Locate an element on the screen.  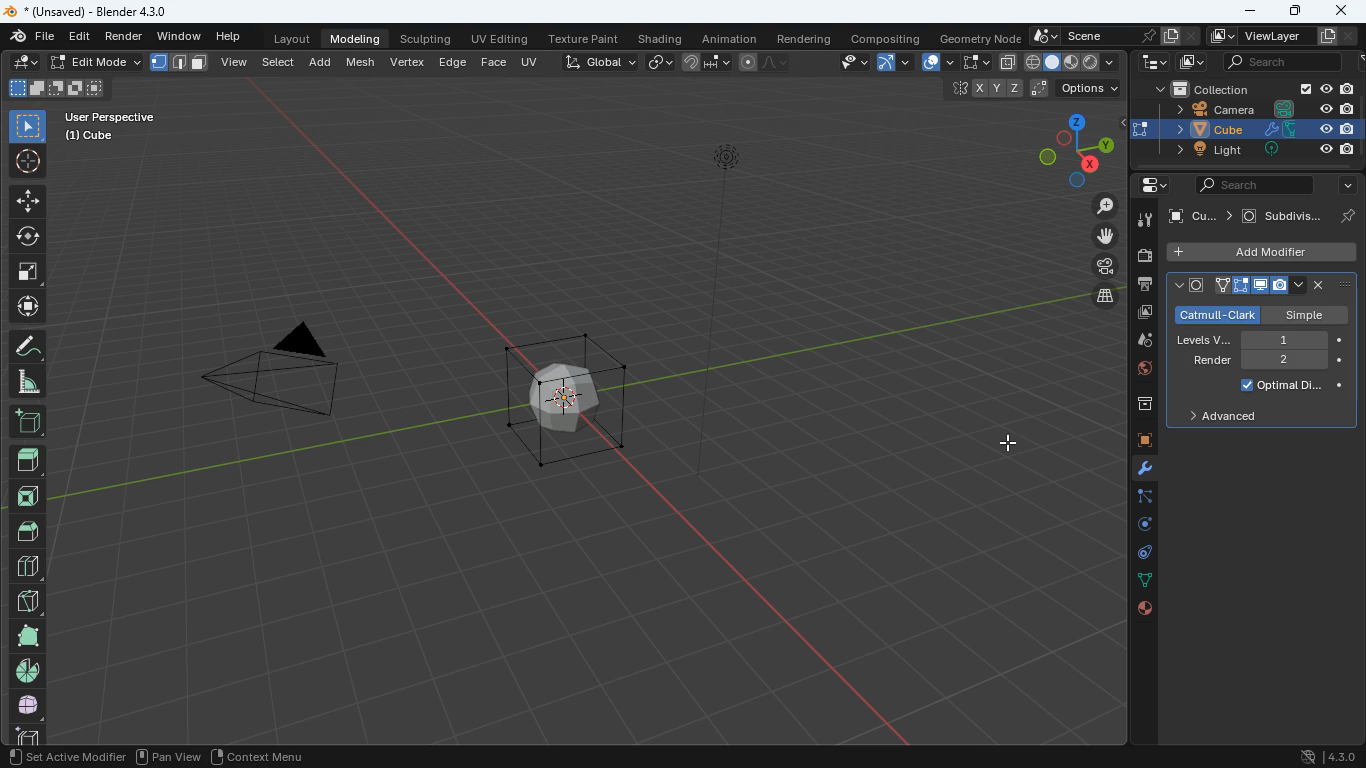
images is located at coordinates (1191, 61).